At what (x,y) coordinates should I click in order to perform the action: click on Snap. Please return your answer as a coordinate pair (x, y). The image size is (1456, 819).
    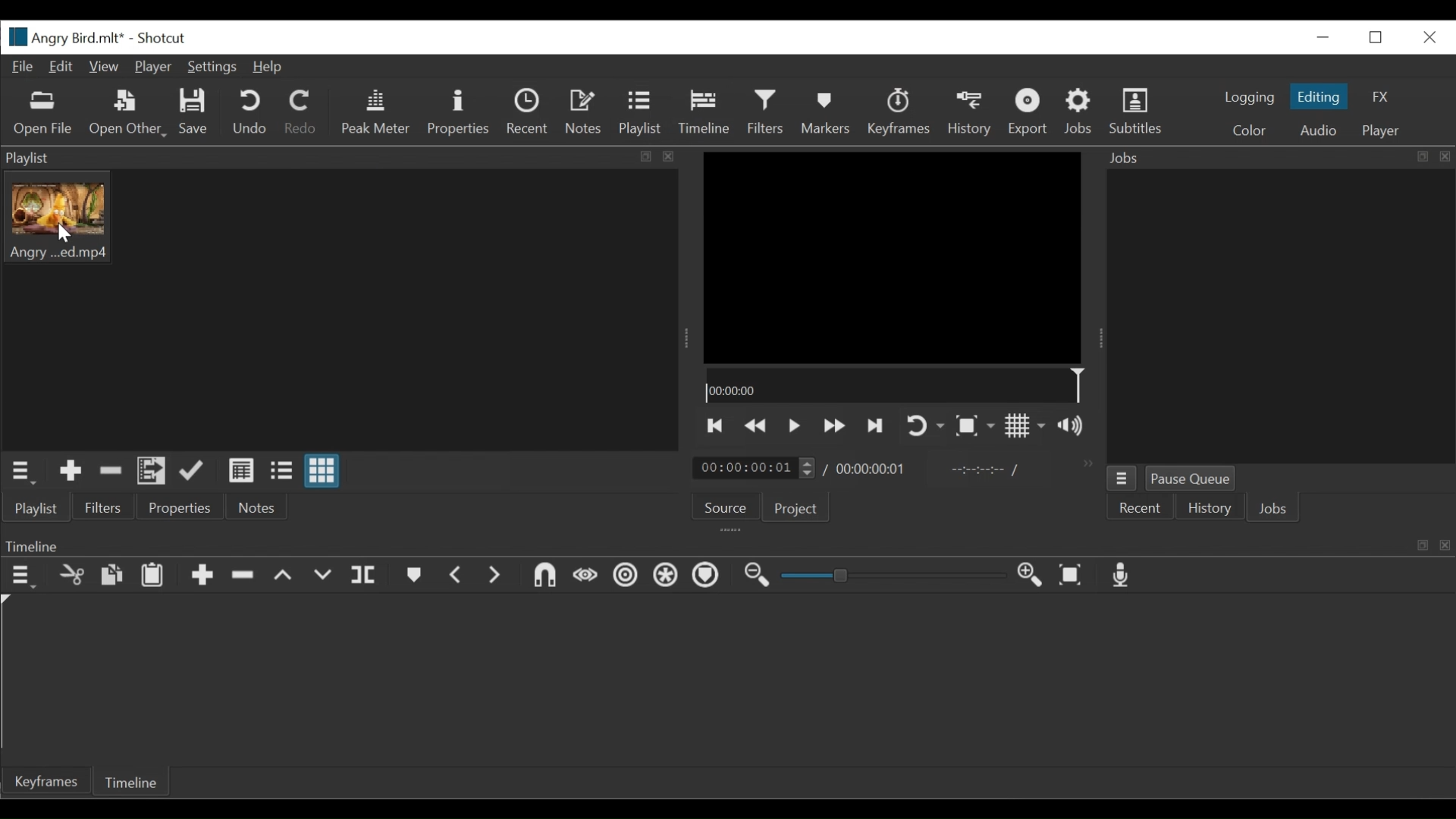
    Looking at the image, I should click on (541, 576).